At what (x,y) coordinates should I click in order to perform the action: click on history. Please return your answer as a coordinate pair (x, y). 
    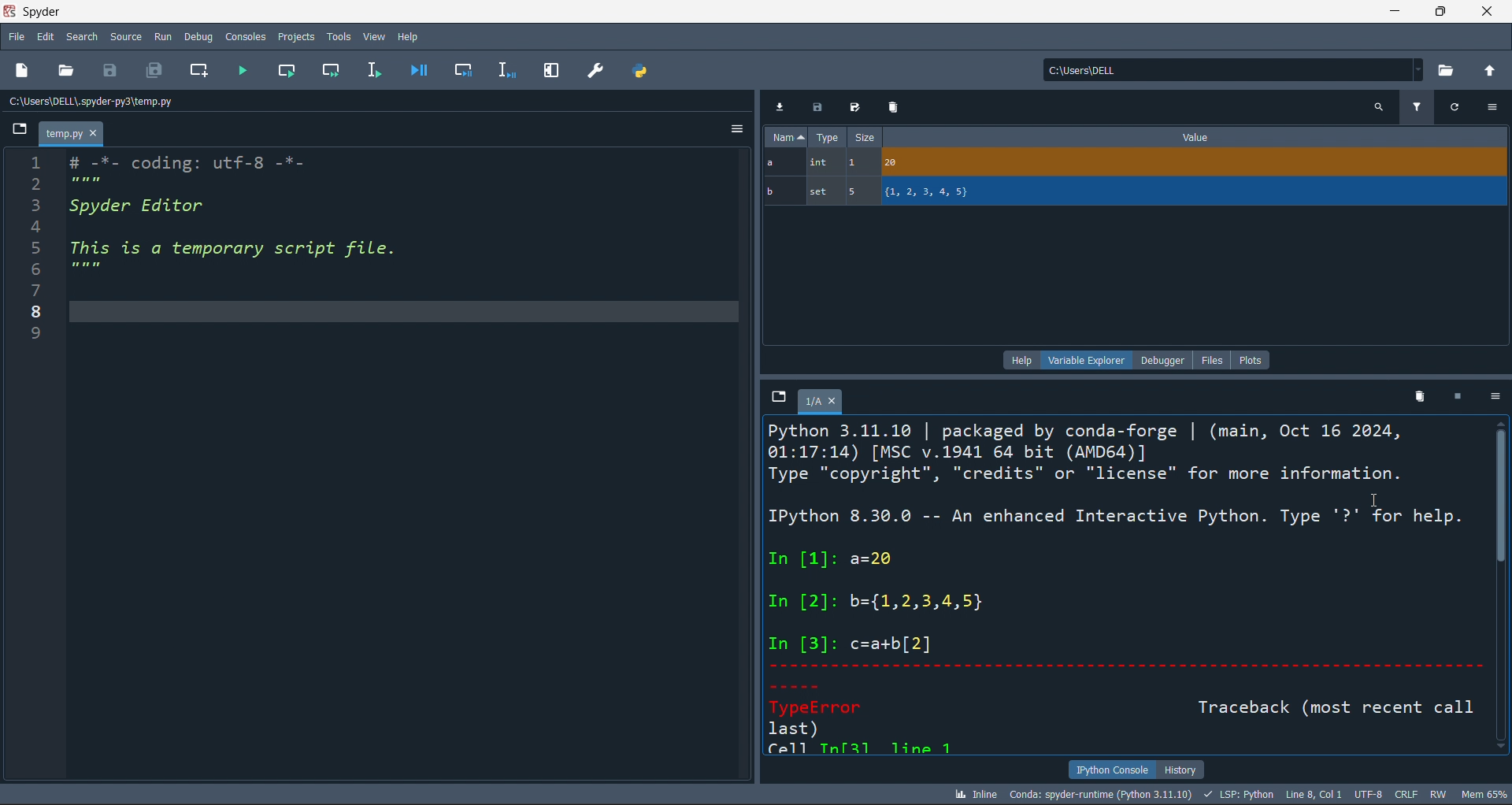
    Looking at the image, I should click on (1181, 768).